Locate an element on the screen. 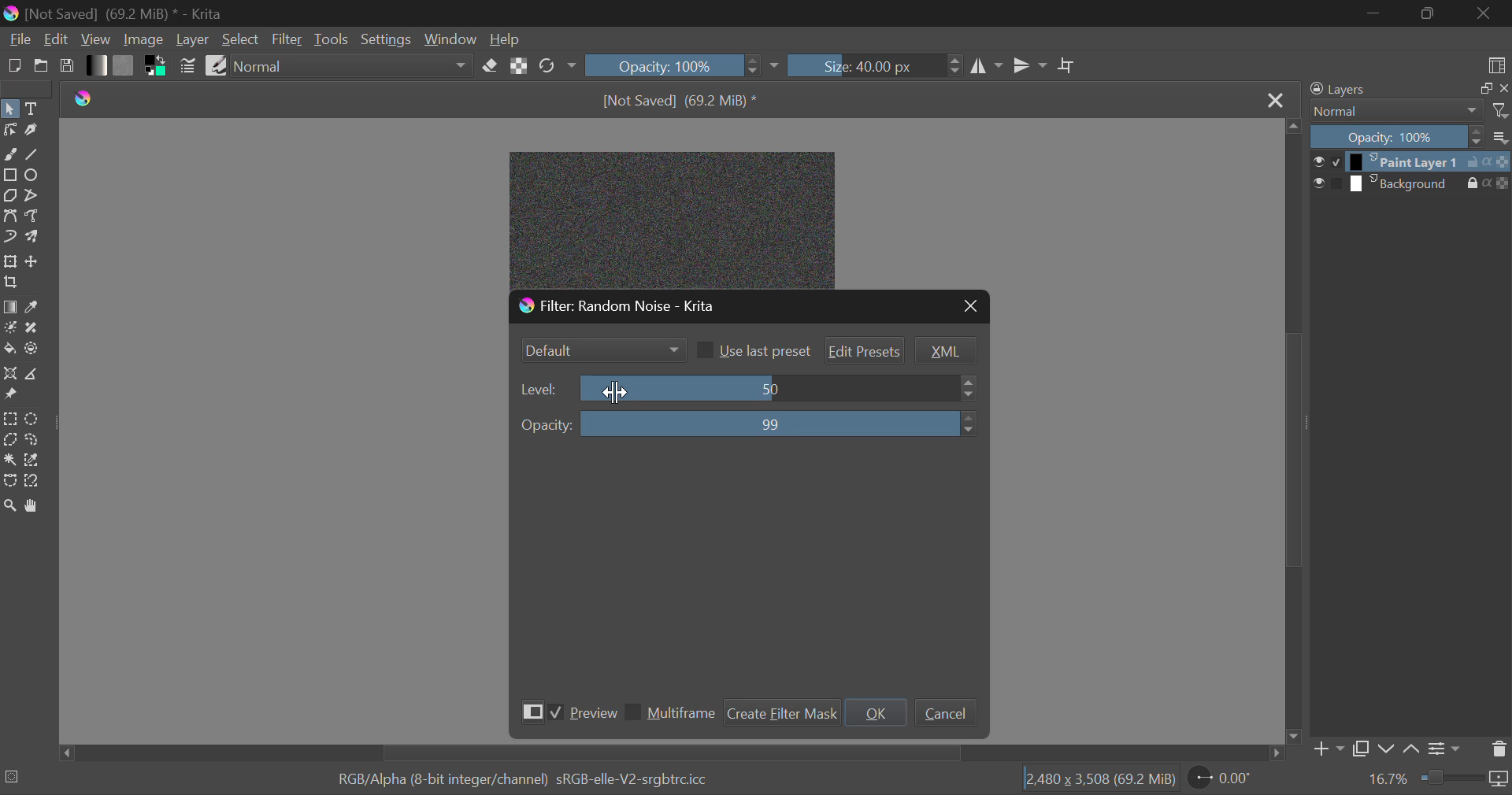  Minimize is located at coordinates (1426, 13).